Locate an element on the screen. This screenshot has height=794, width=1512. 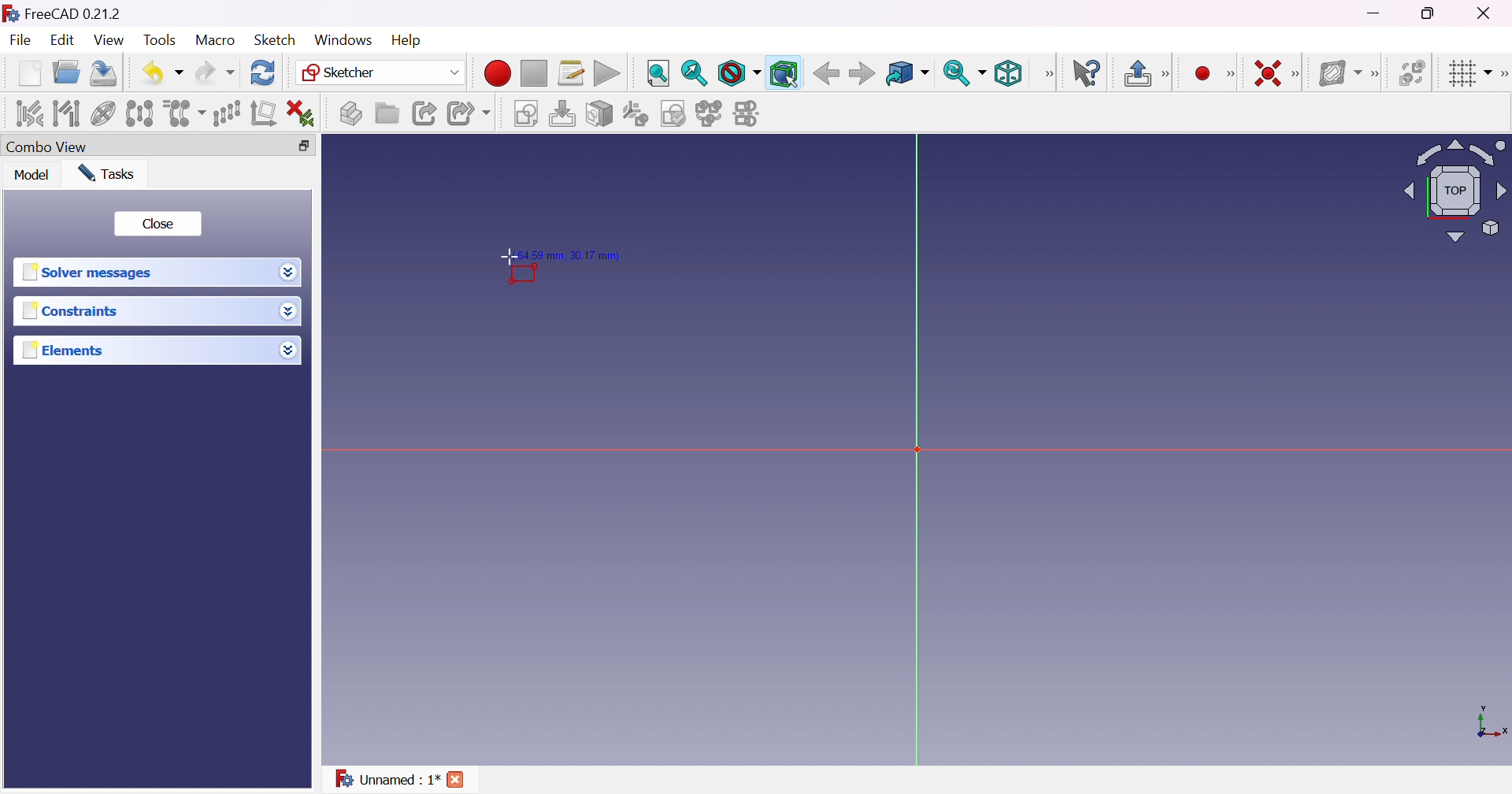
Drop down is located at coordinates (289, 351).